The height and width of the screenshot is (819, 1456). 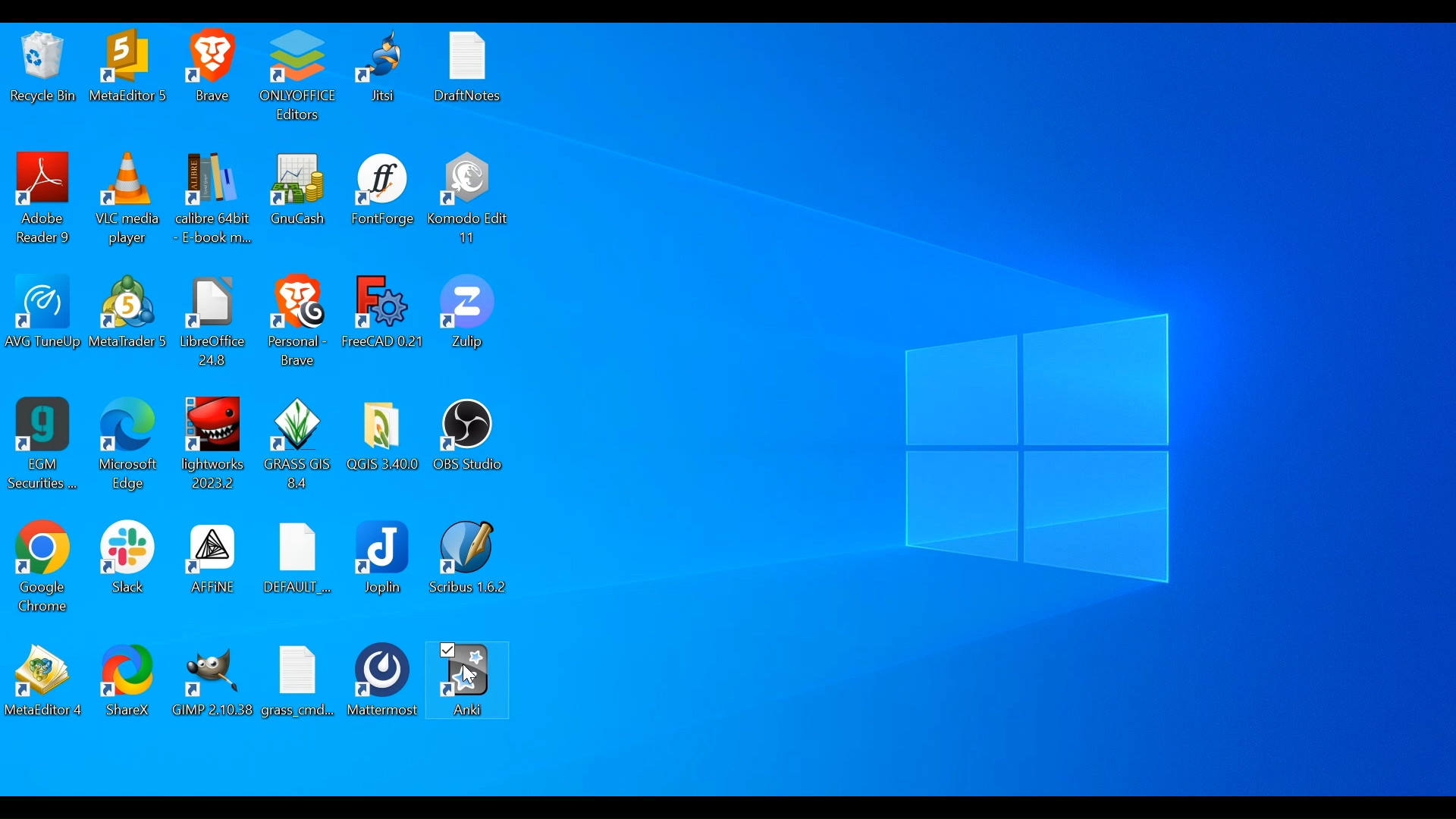 What do you see at coordinates (217, 320) in the screenshot?
I see `LibreOffice Desktop icon` at bounding box center [217, 320].